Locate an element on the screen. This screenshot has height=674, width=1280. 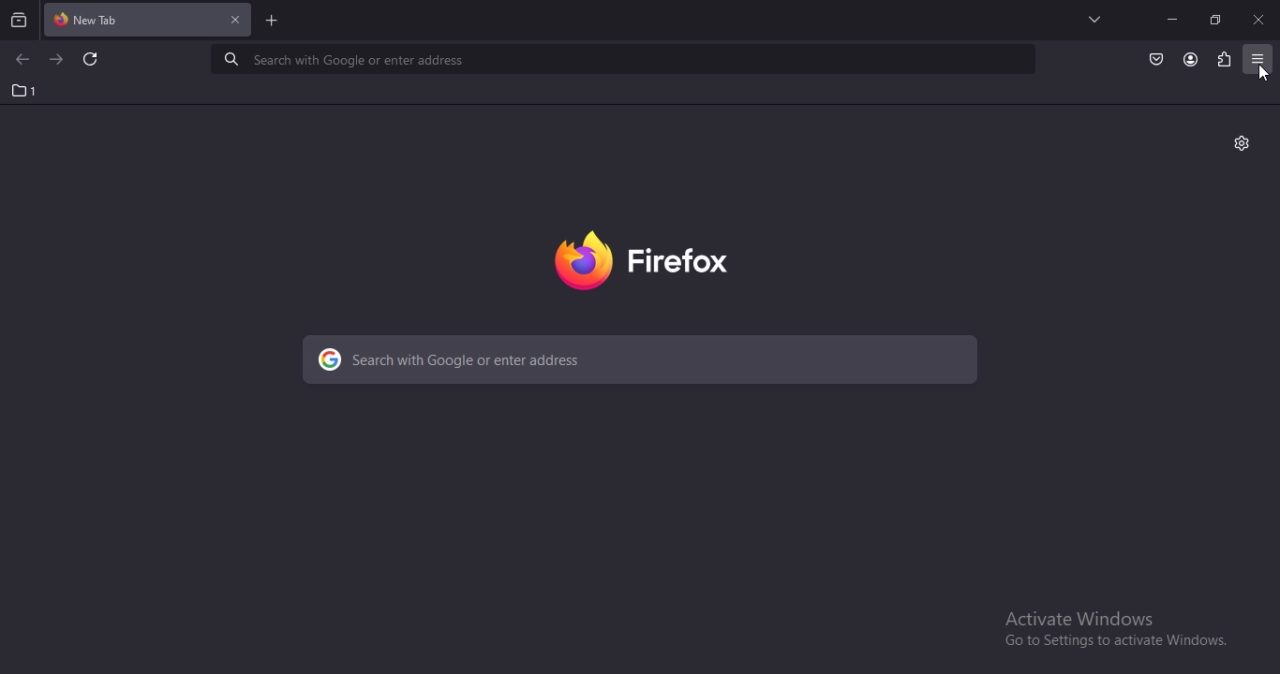
go back one page is located at coordinates (26, 60).